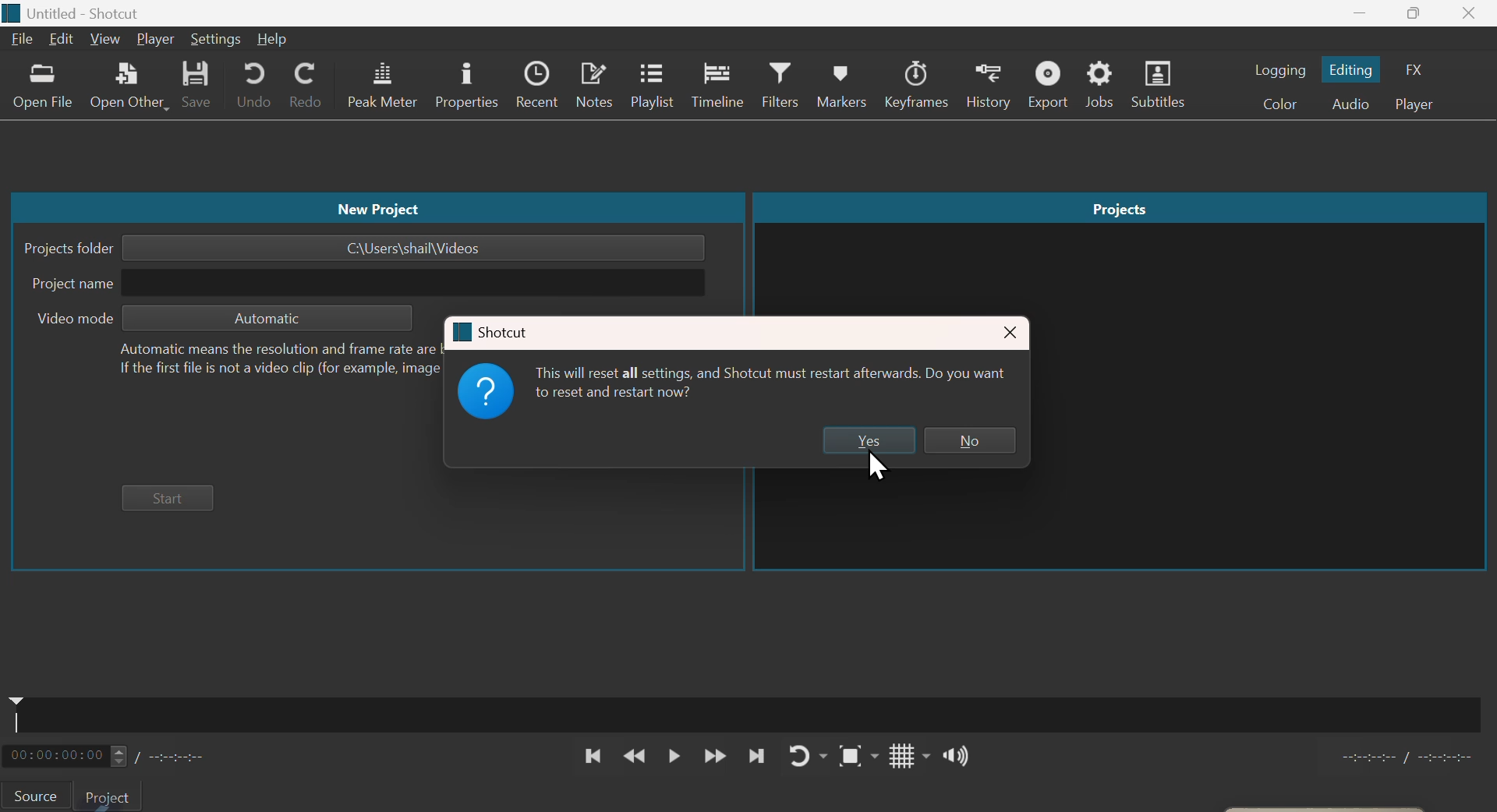 This screenshot has height=812, width=1497. What do you see at coordinates (497, 334) in the screenshot?
I see `Shortcut` at bounding box center [497, 334].